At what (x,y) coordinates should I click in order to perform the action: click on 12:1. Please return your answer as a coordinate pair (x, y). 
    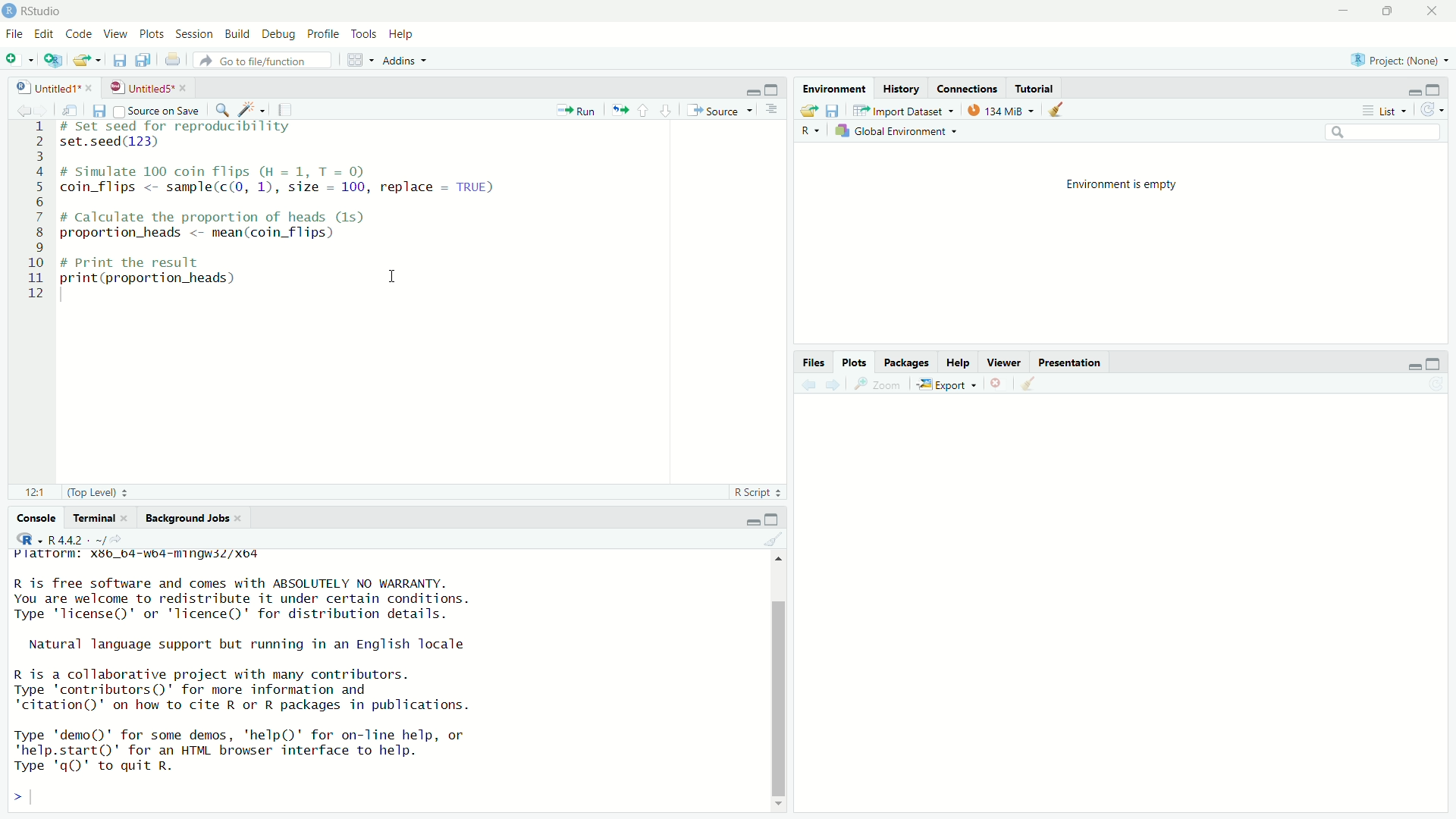
    Looking at the image, I should click on (33, 493).